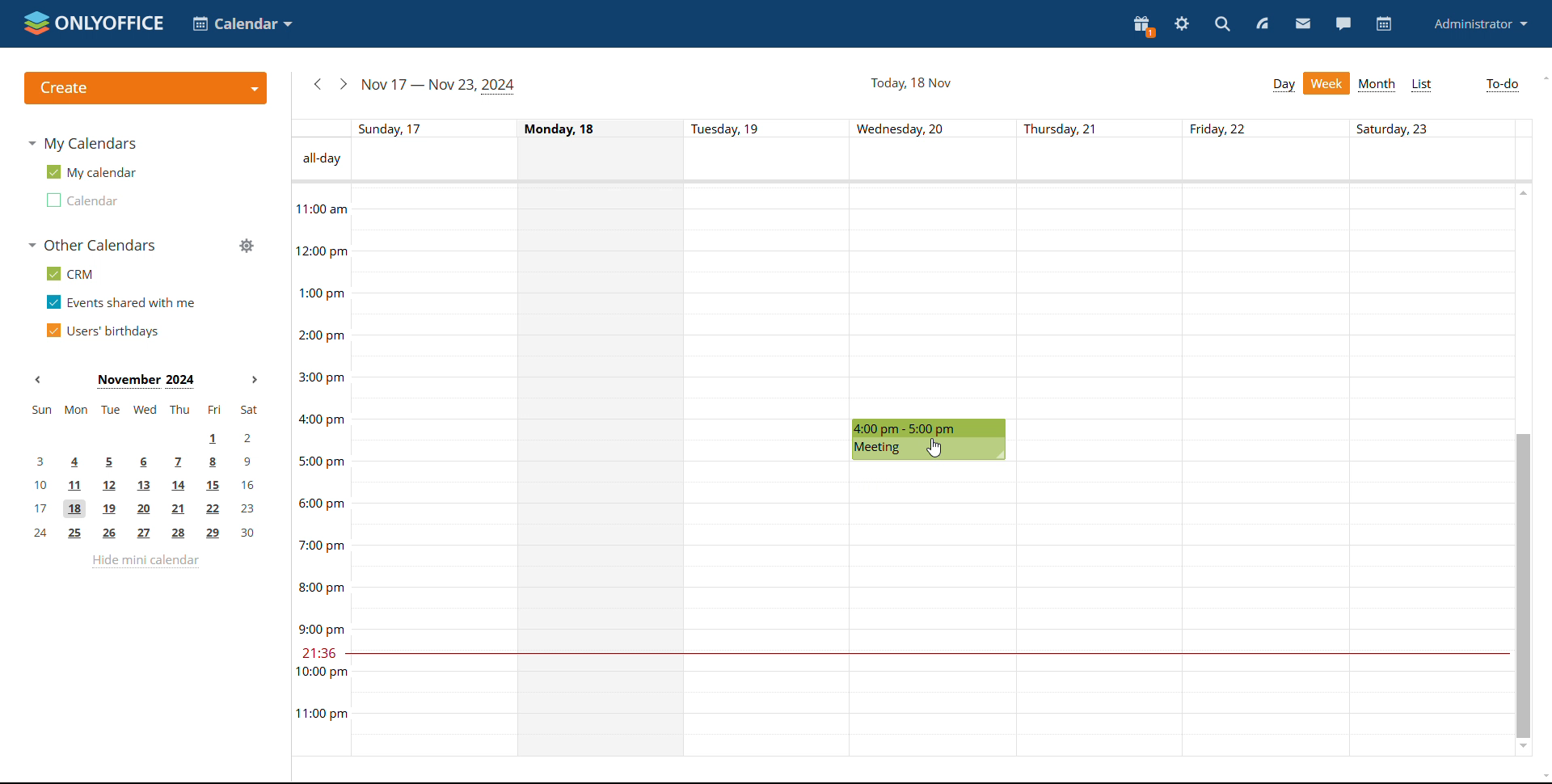 The width and height of the screenshot is (1552, 784). What do you see at coordinates (1525, 748) in the screenshot?
I see `scroll down` at bounding box center [1525, 748].